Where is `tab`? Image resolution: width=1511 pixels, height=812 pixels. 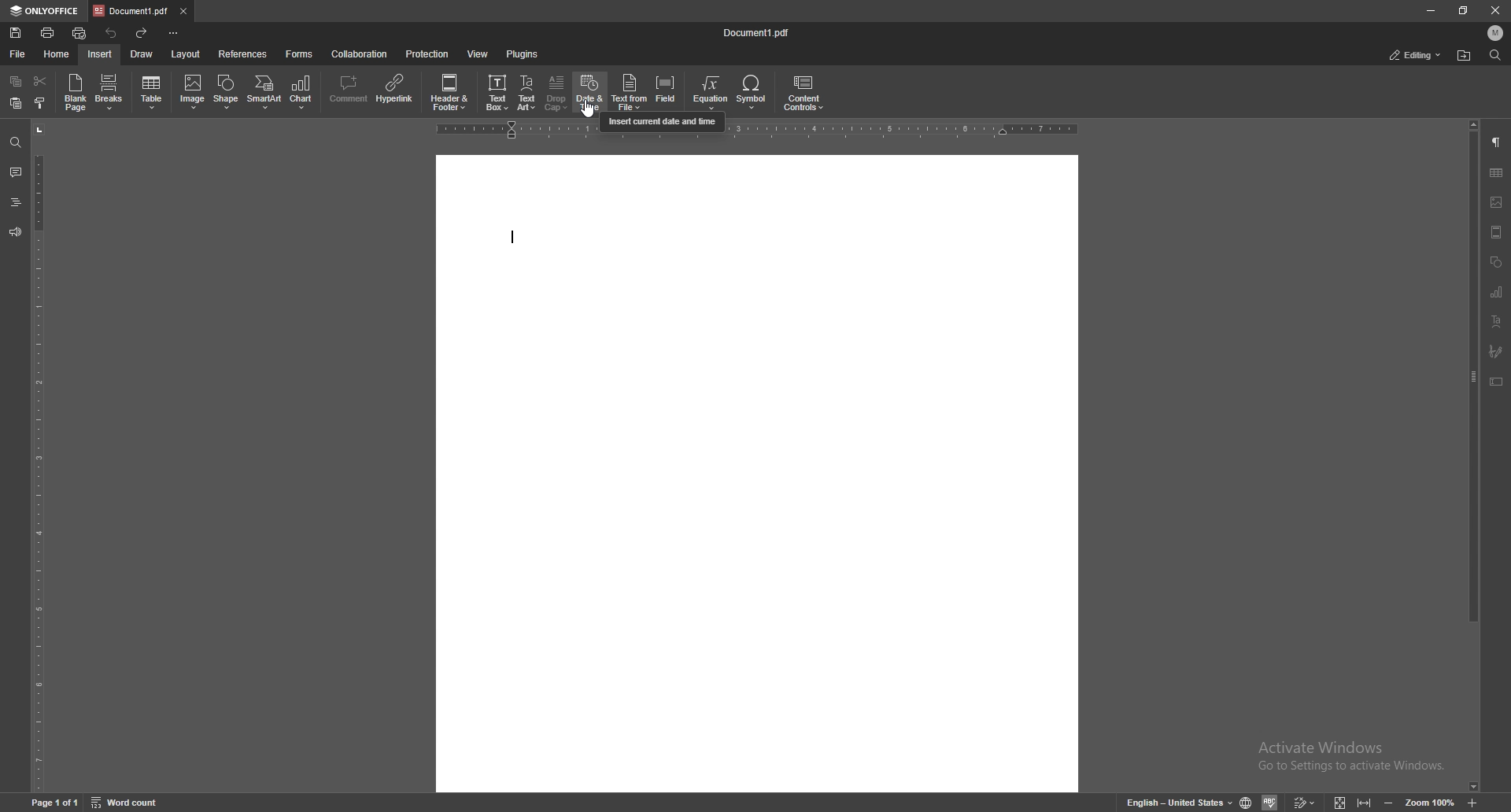
tab is located at coordinates (131, 11).